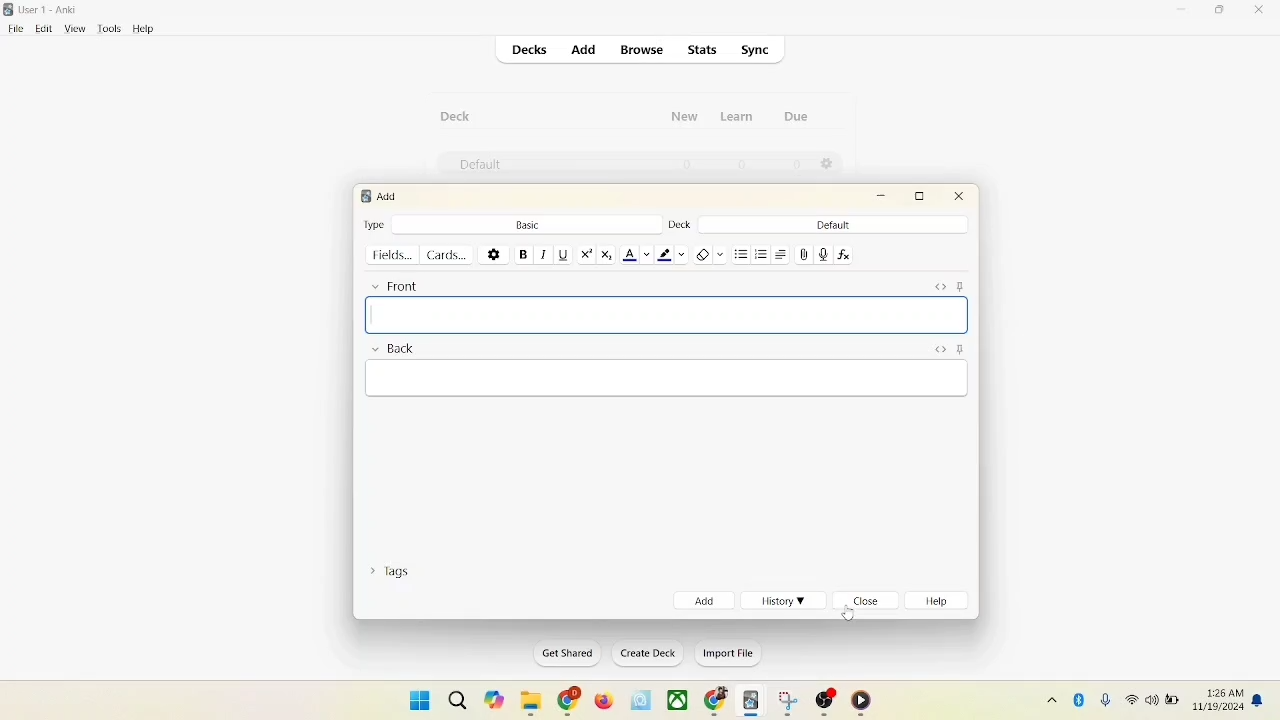 Image resolution: width=1280 pixels, height=720 pixels. What do you see at coordinates (392, 350) in the screenshot?
I see `back` at bounding box center [392, 350].